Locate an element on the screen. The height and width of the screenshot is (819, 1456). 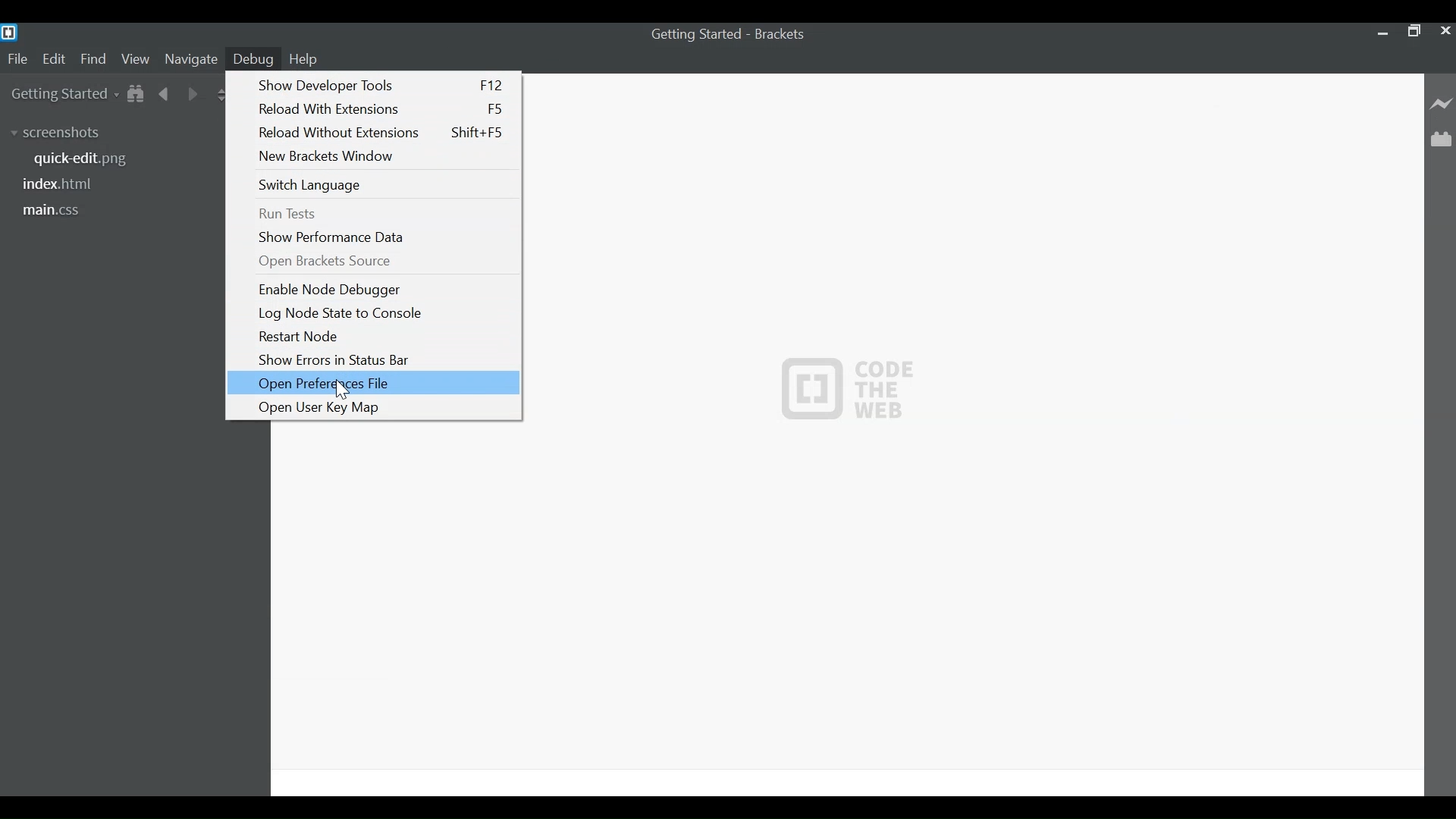
File  is located at coordinates (14, 58).